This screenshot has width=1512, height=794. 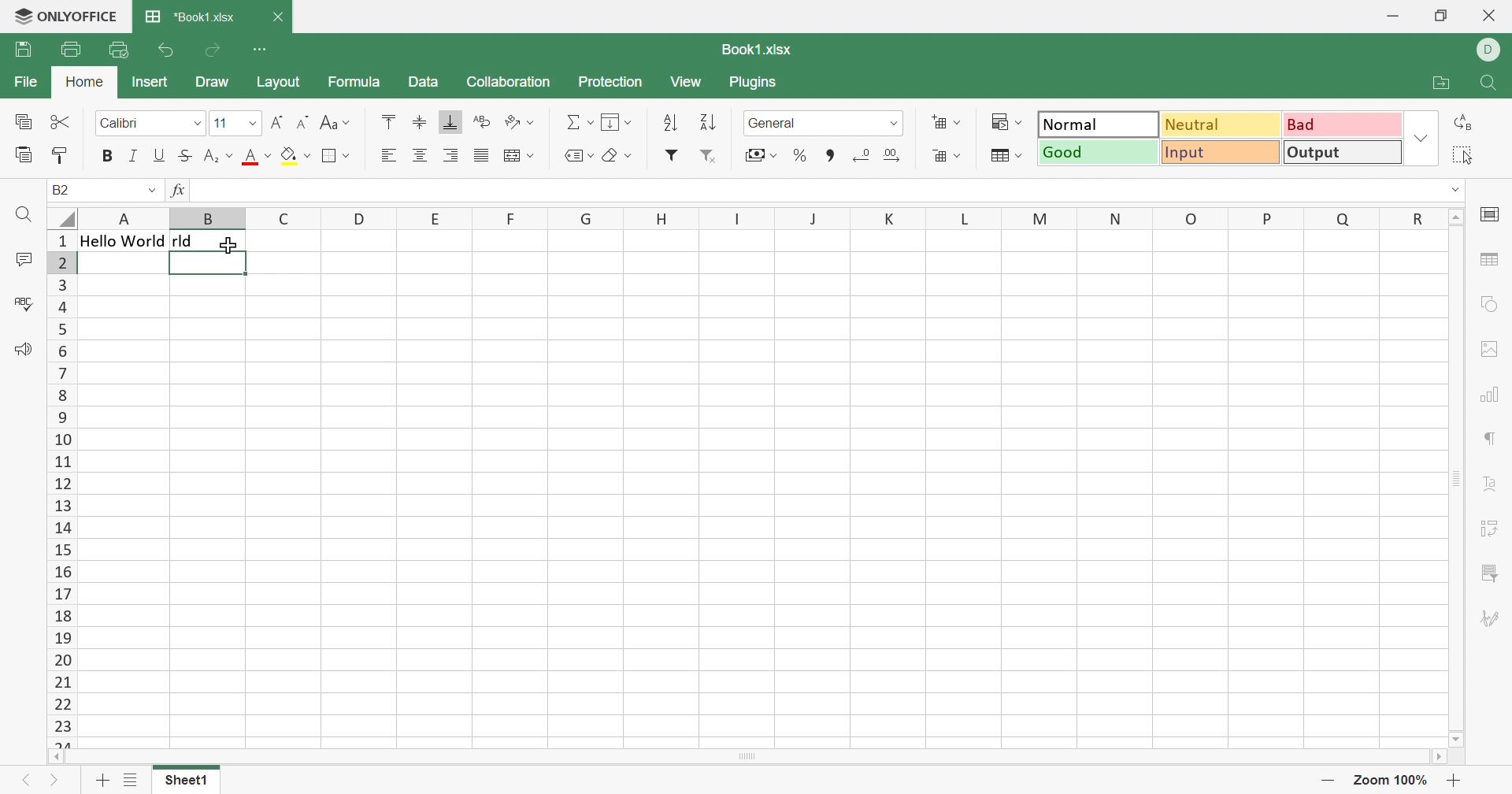 I want to click on Good, so click(x=1096, y=151).